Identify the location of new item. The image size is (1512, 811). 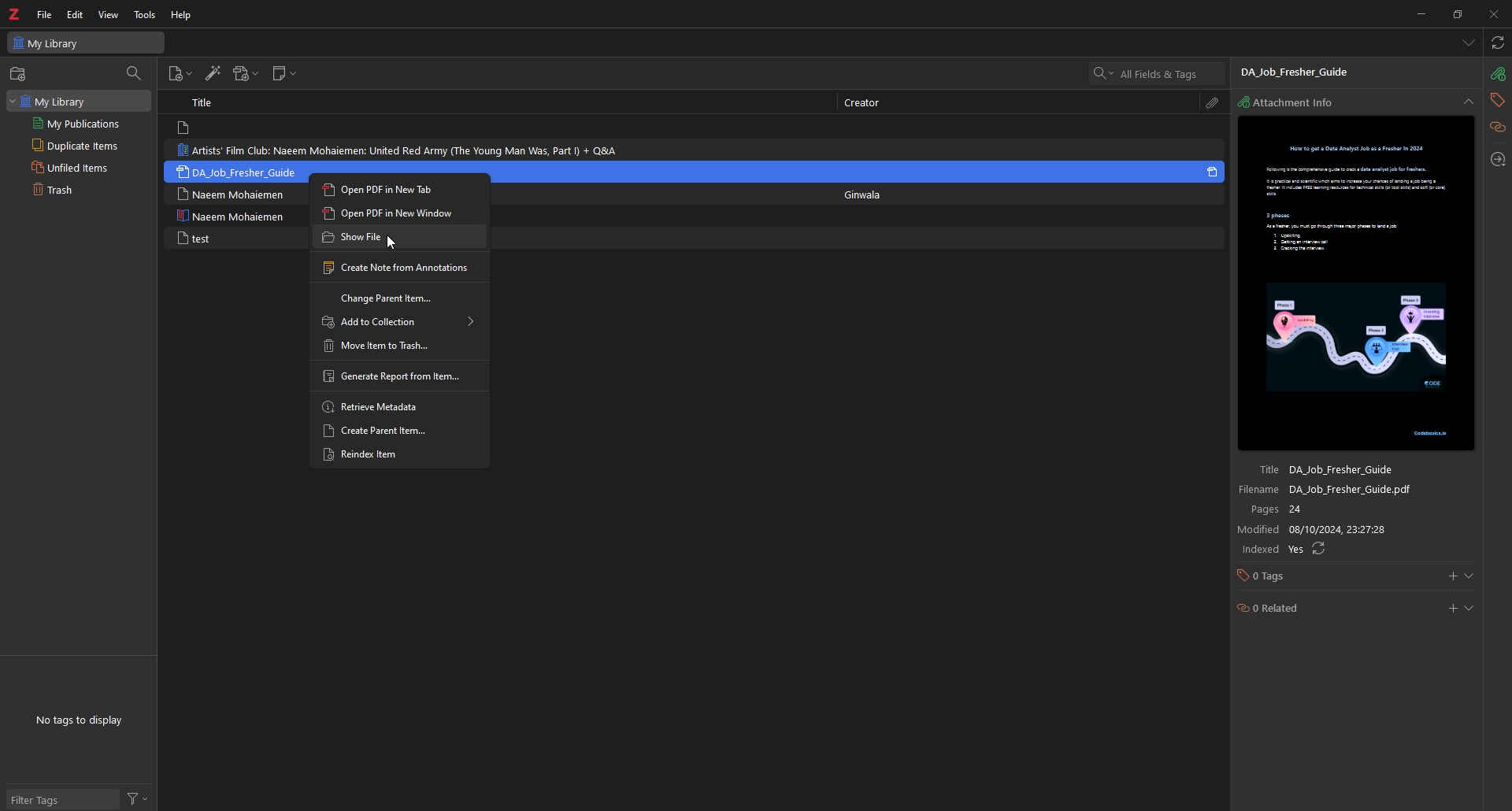
(180, 76).